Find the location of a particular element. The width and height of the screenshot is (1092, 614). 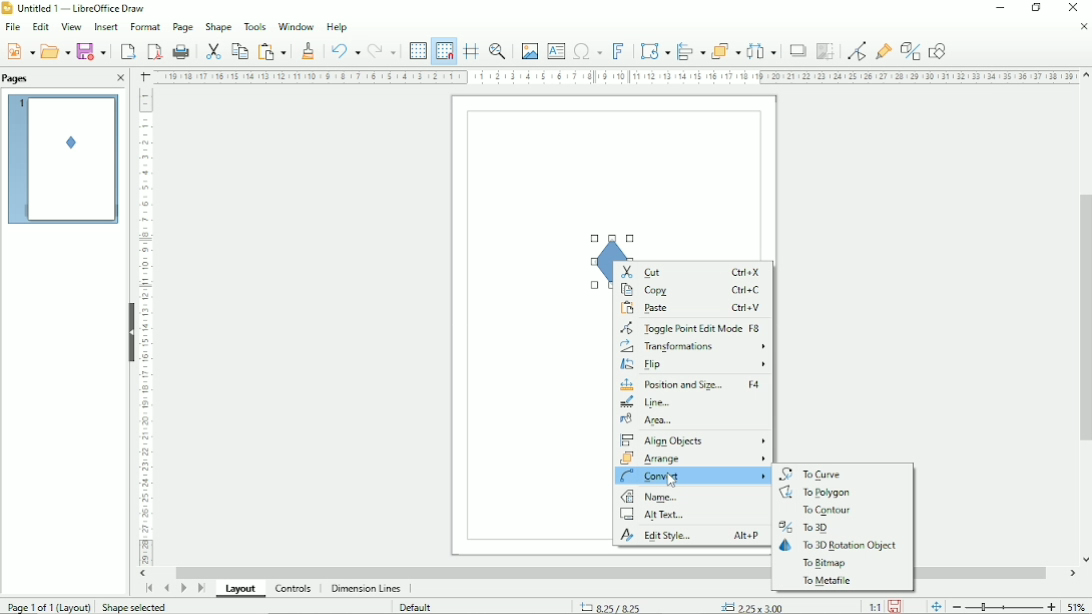

Toggle point edit mode is located at coordinates (854, 49).